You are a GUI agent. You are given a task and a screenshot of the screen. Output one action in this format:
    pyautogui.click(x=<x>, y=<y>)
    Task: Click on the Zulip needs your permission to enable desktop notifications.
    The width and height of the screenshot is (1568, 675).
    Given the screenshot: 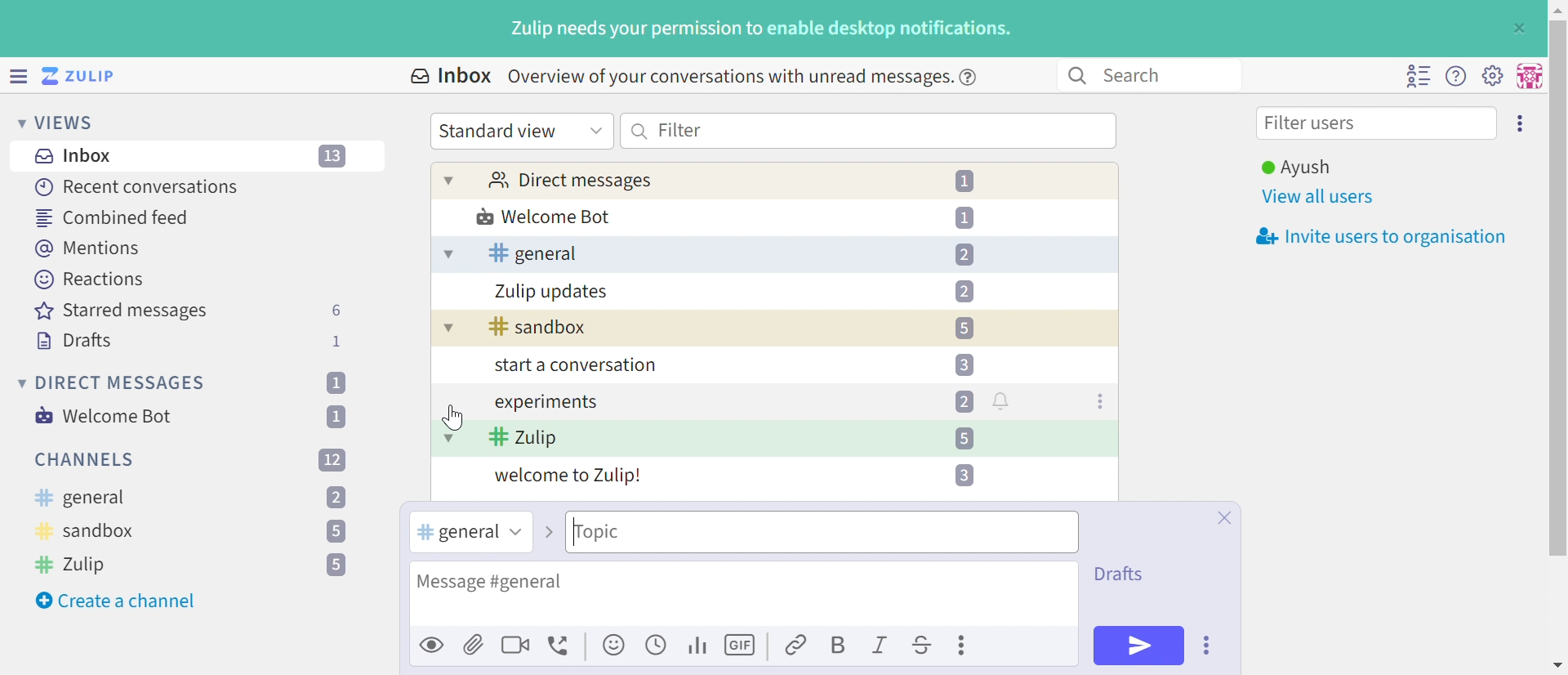 What is the action you would take?
    pyautogui.click(x=762, y=30)
    